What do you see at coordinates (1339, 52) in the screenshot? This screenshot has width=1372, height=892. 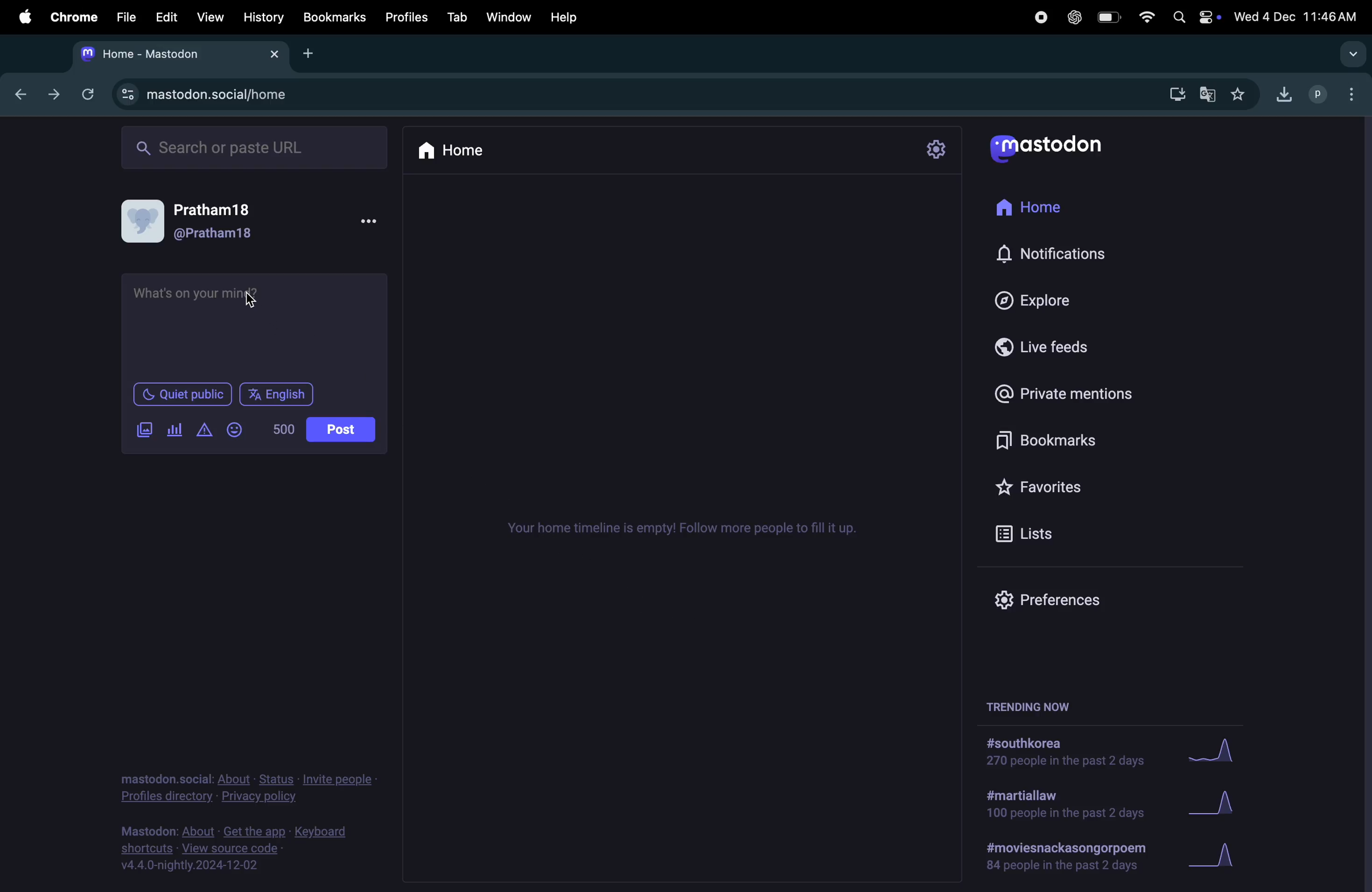 I see `` at bounding box center [1339, 52].